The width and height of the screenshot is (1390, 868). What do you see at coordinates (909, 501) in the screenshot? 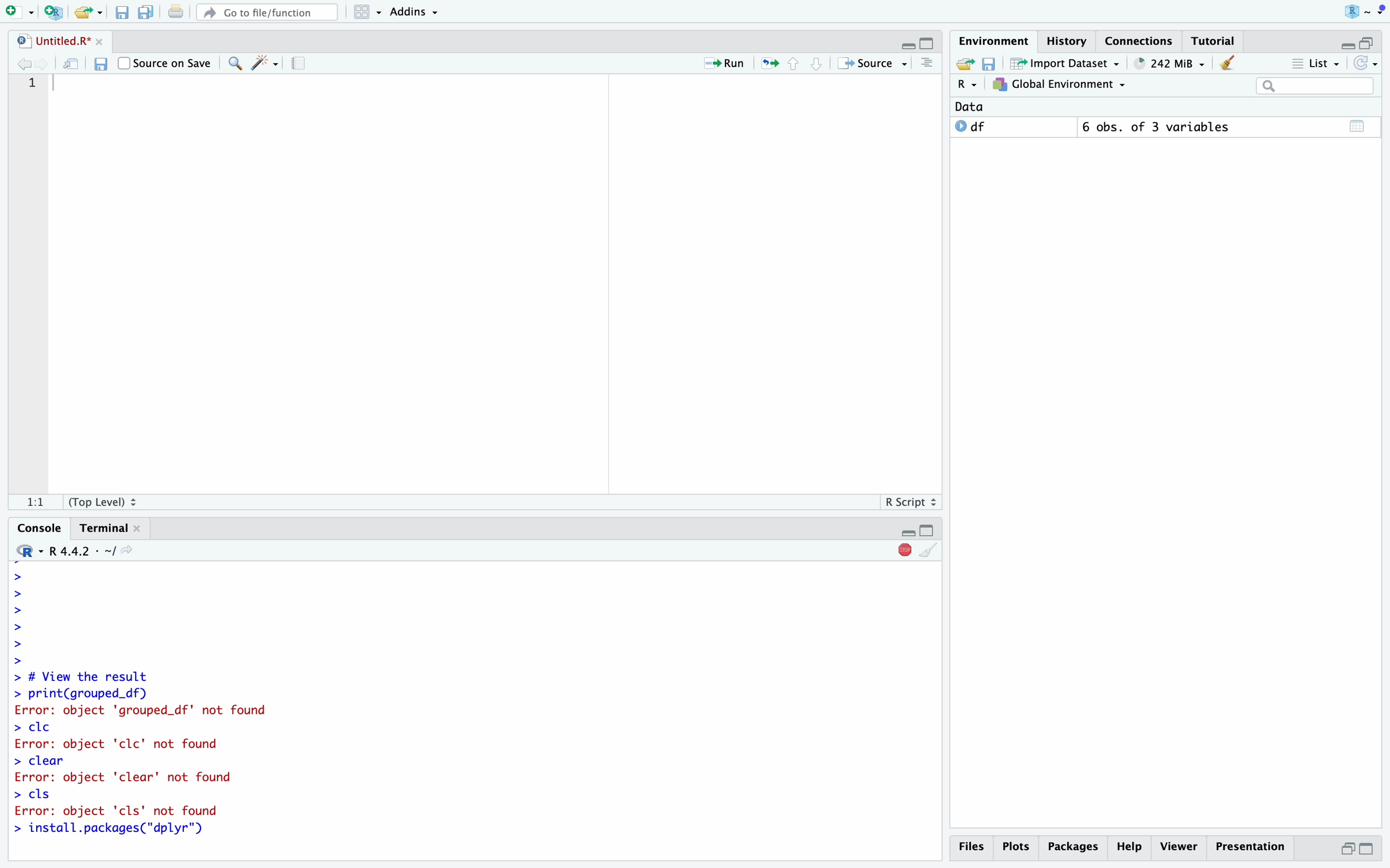
I see `R Script` at bounding box center [909, 501].